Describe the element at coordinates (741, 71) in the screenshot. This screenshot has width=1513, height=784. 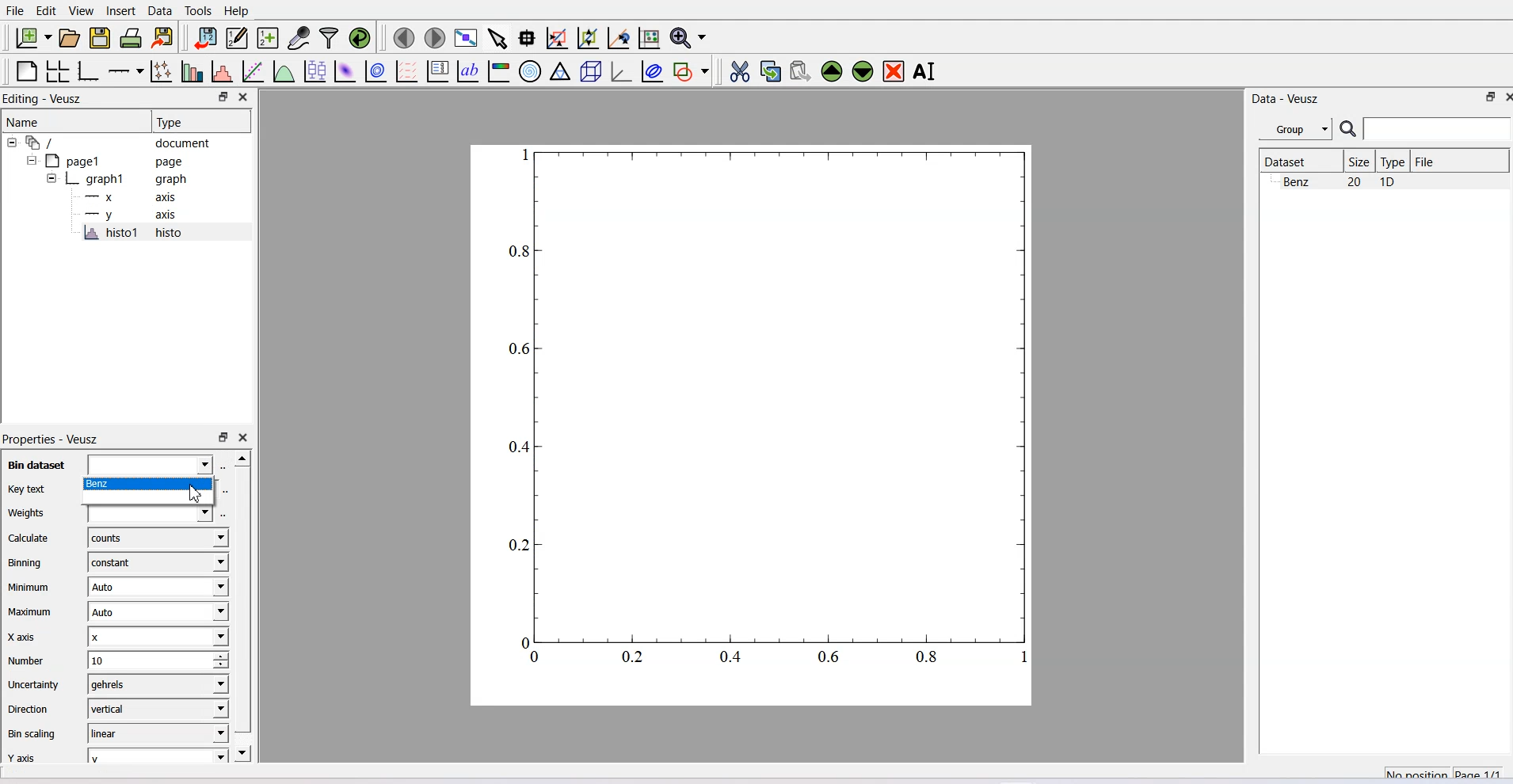
I see `Cut the selected widget` at that location.